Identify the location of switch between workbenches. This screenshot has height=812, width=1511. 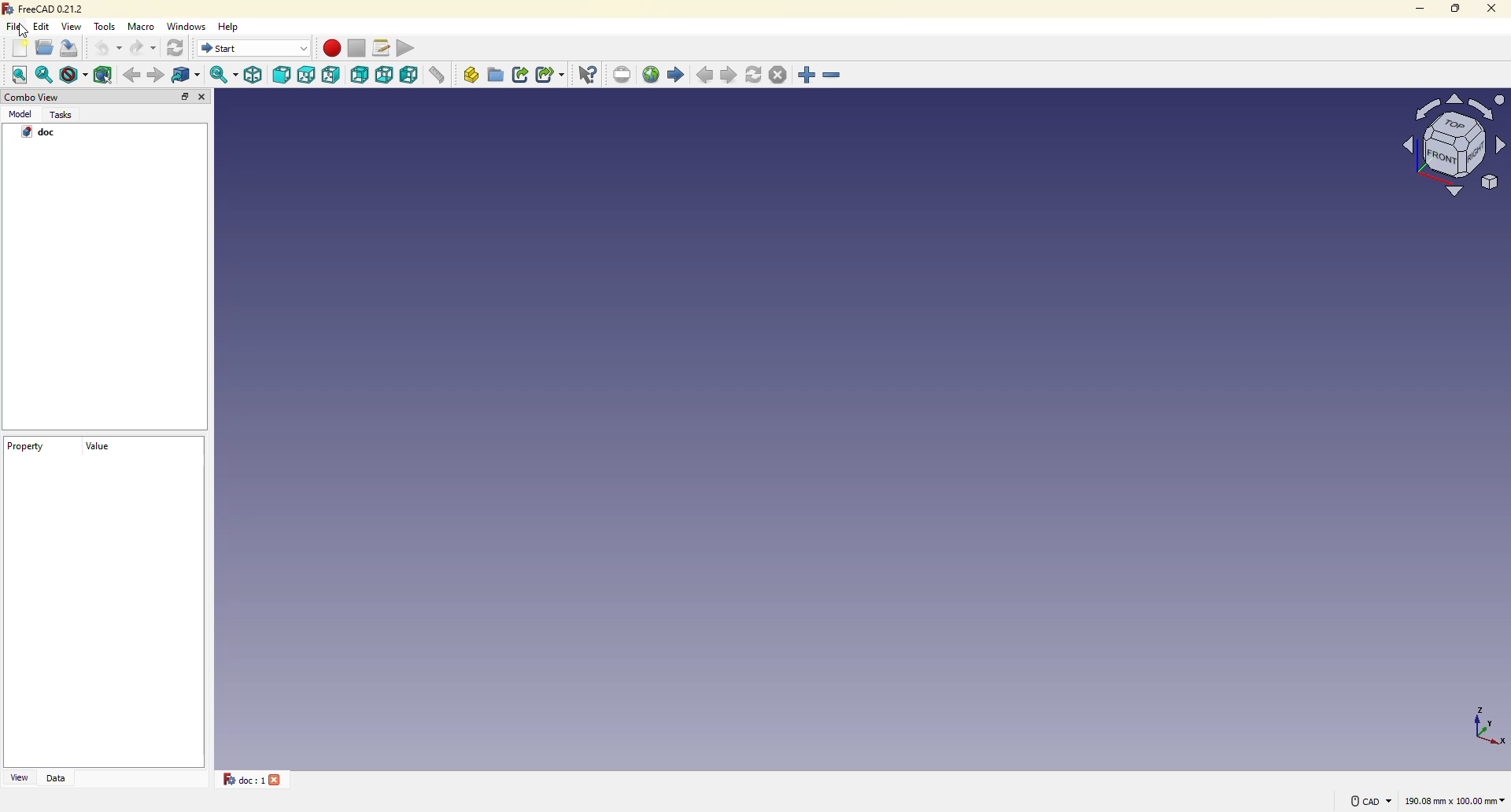
(254, 48).